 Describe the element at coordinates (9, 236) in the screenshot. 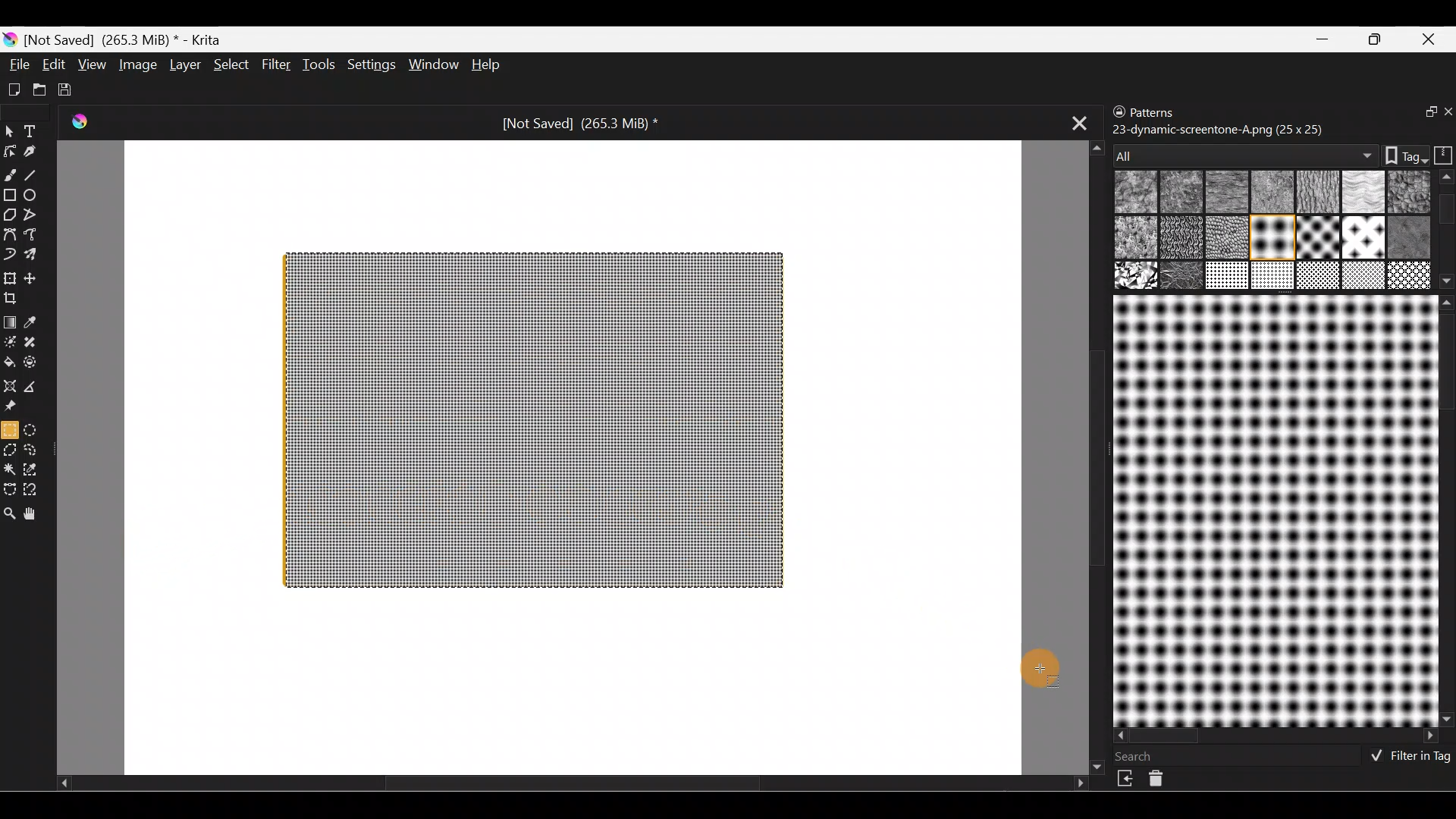

I see `Bezier curve tool` at that location.